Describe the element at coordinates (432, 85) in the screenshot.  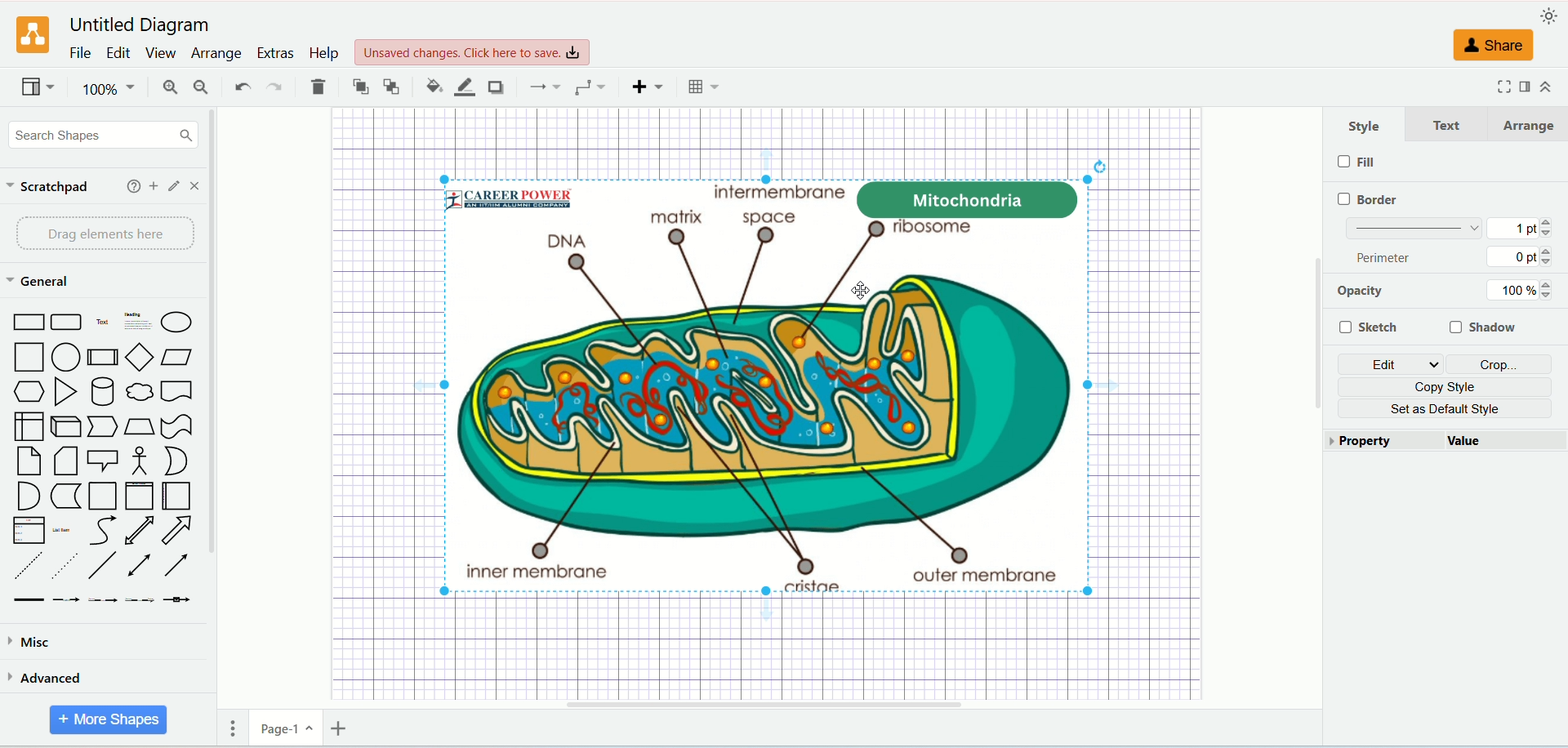
I see `fill color` at that location.